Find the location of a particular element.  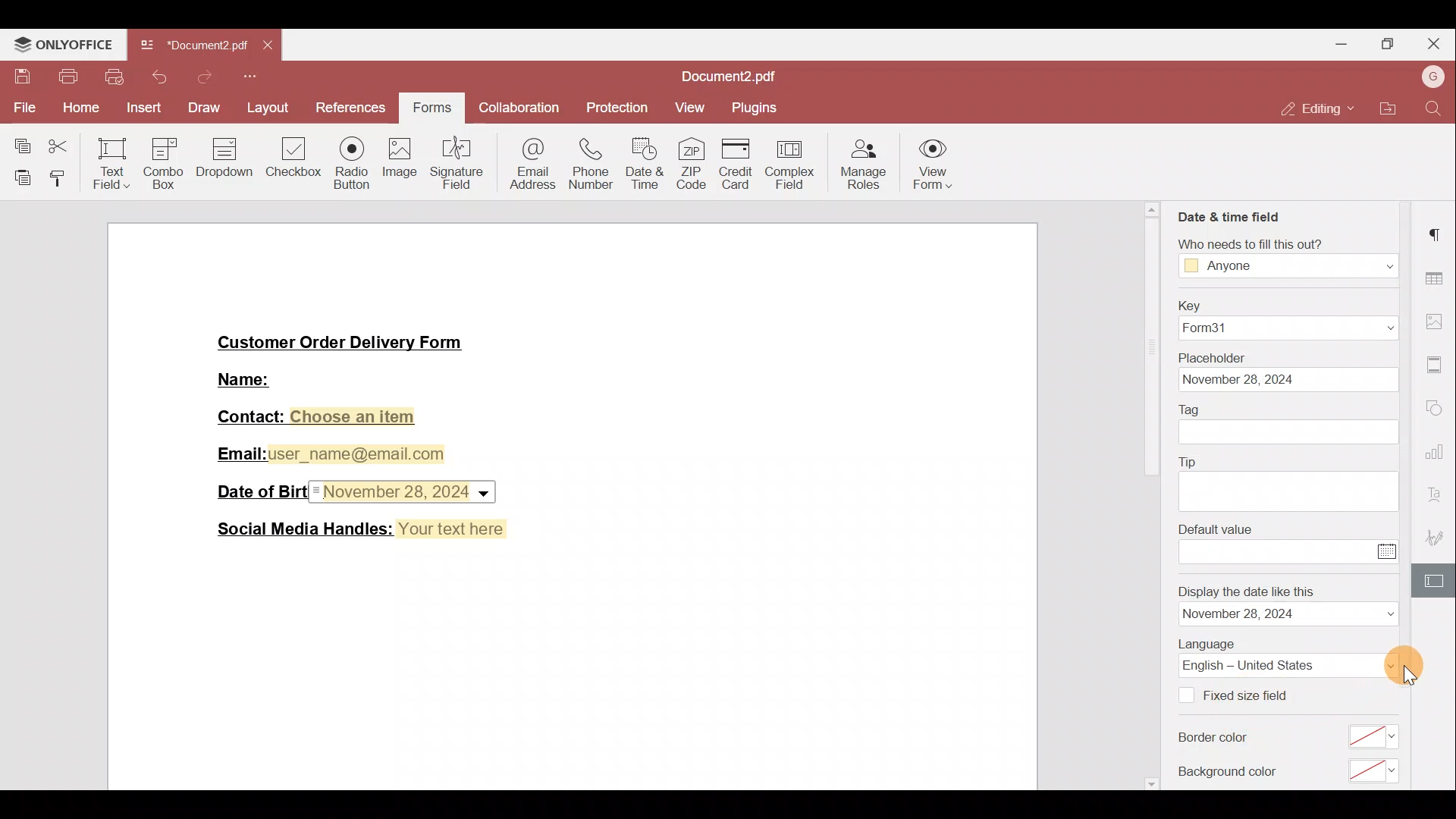

Phone number is located at coordinates (591, 160).